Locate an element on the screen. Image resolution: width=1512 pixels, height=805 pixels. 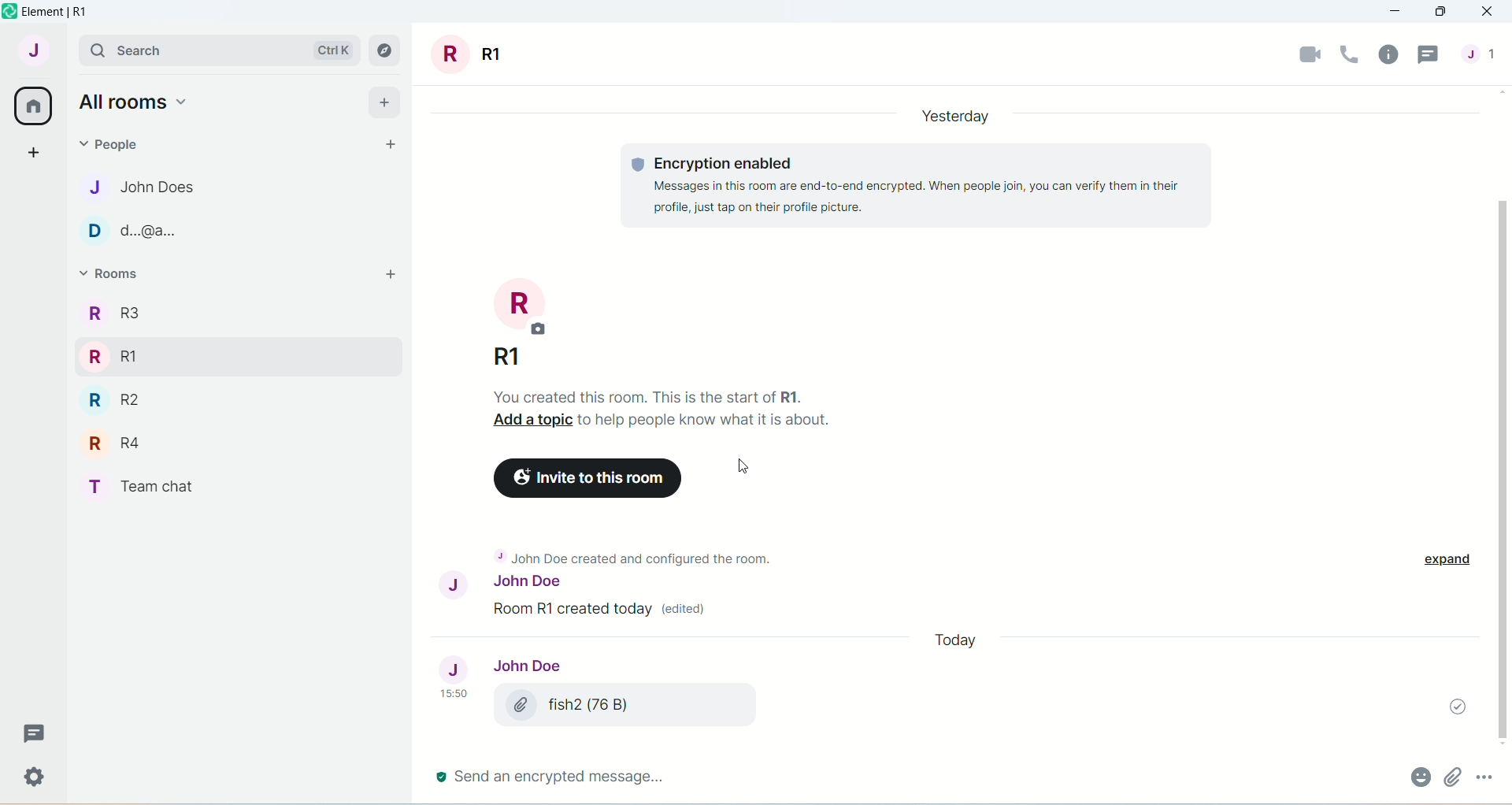
Encryption enabled Message in this room are end-to-end encrypted... is located at coordinates (916, 184).